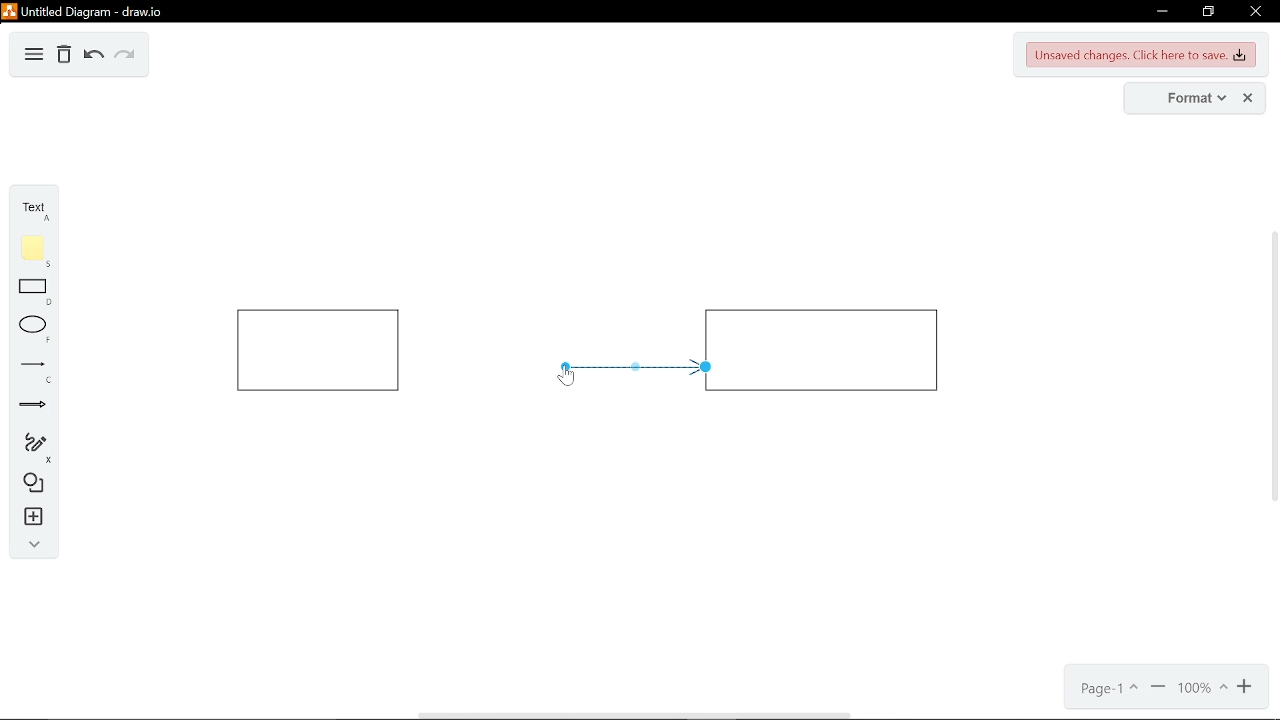  What do you see at coordinates (30, 447) in the screenshot?
I see `freehand` at bounding box center [30, 447].